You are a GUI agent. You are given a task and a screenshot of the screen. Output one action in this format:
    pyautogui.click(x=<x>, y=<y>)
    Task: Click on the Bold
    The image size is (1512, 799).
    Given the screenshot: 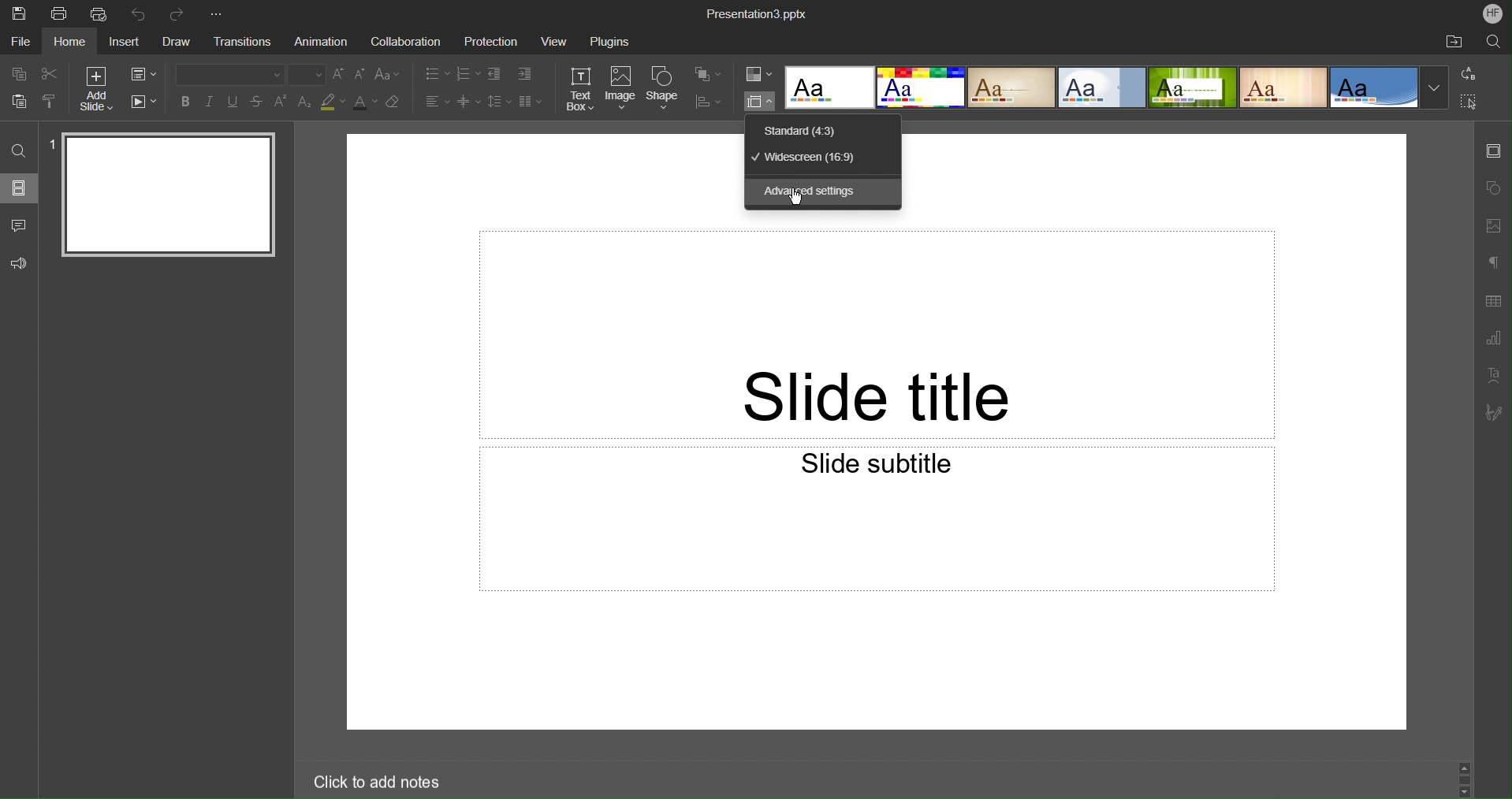 What is the action you would take?
    pyautogui.click(x=184, y=102)
    